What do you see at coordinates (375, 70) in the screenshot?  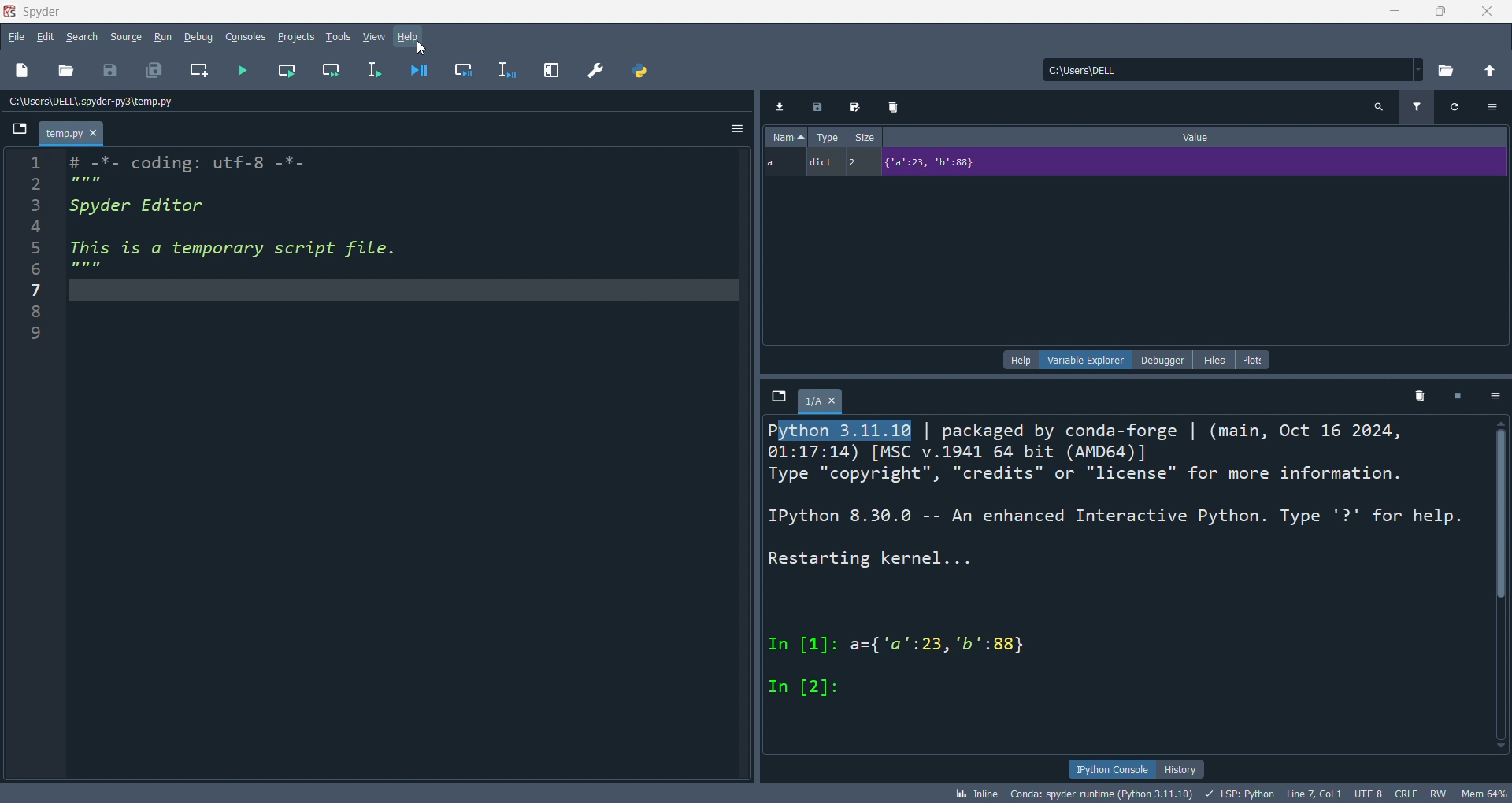 I see `run line` at bounding box center [375, 70].